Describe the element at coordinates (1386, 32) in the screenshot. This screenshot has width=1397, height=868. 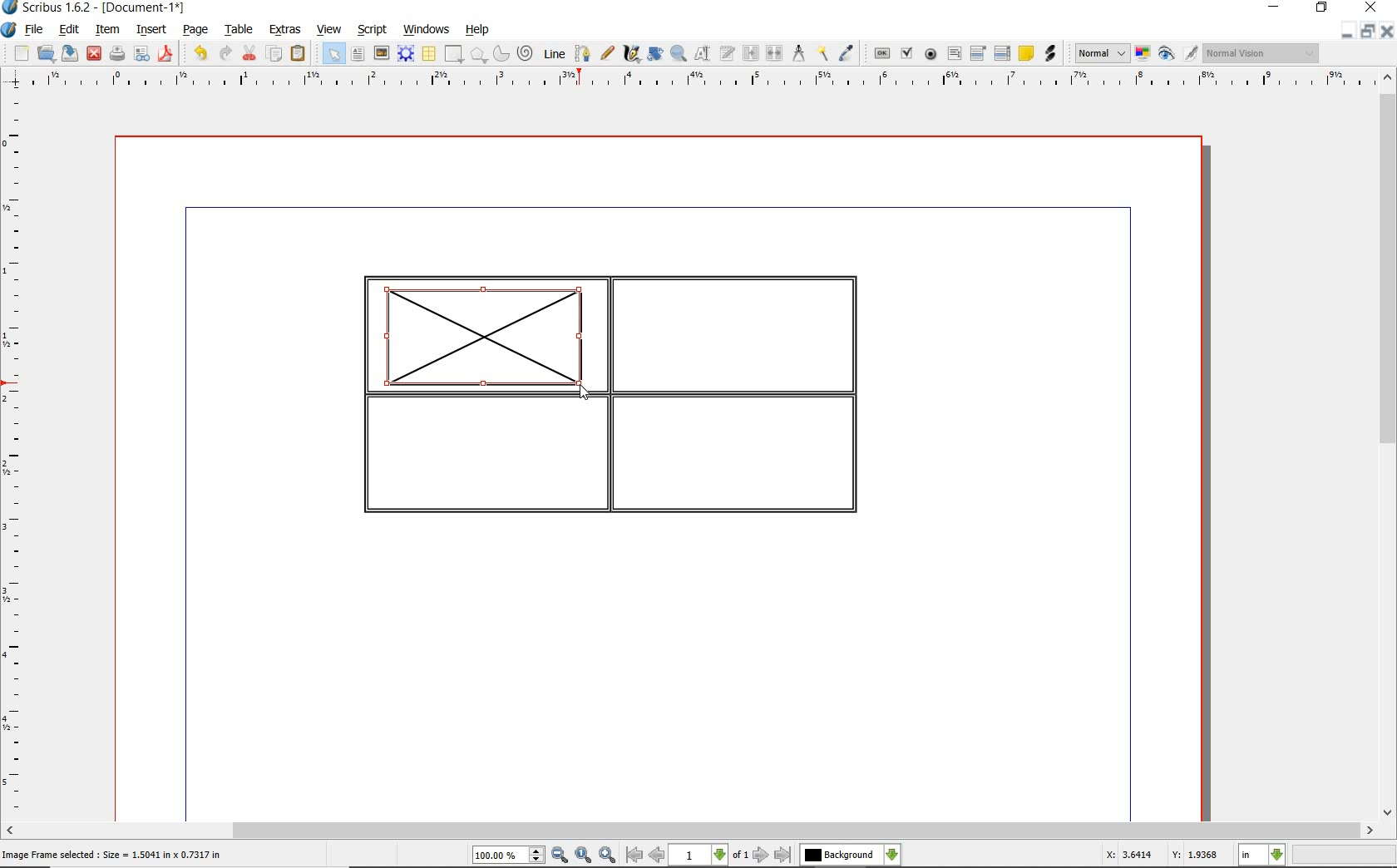
I see `close` at that location.